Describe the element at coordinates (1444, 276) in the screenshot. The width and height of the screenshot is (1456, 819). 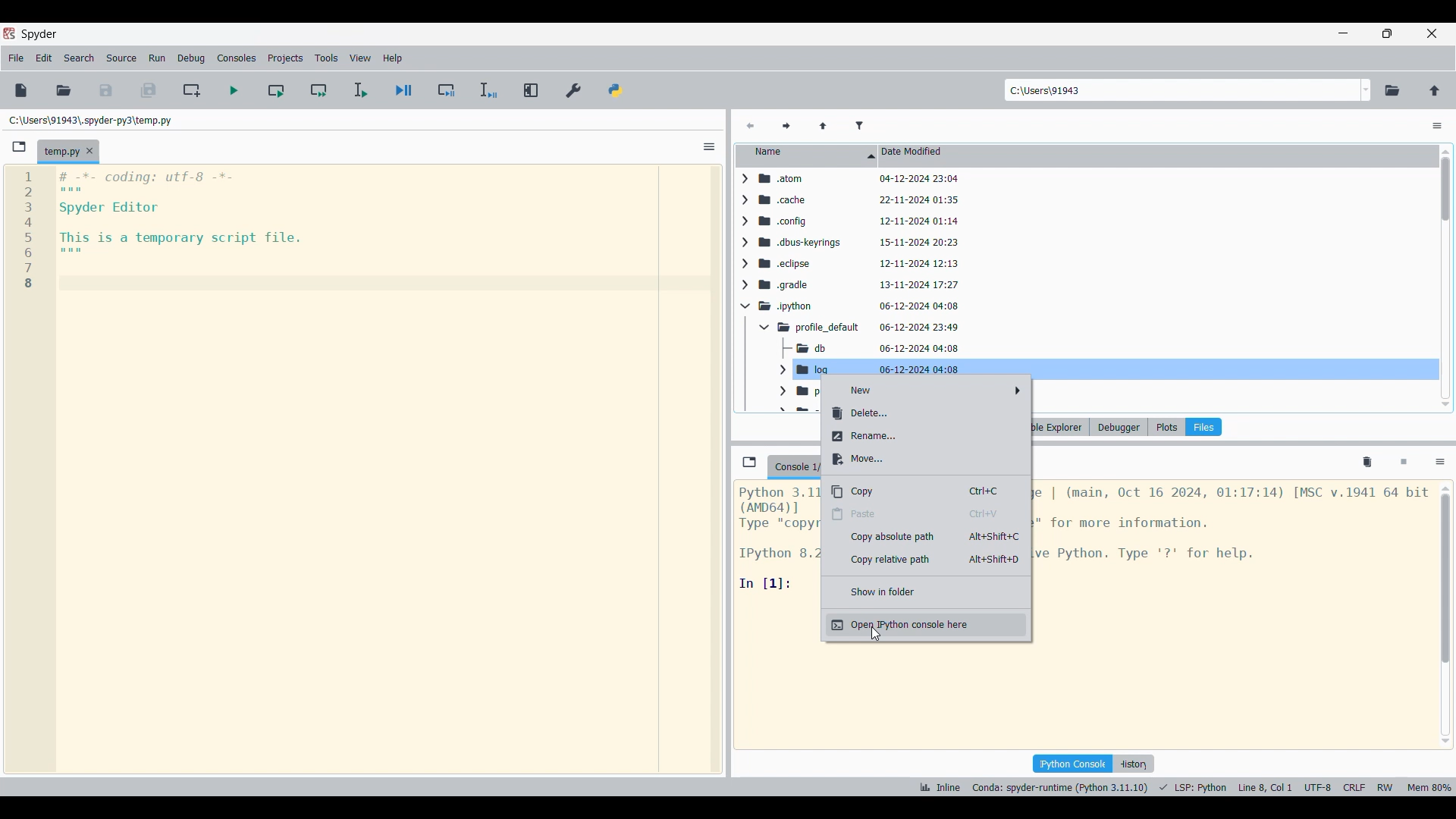
I see `scrollbar` at that location.